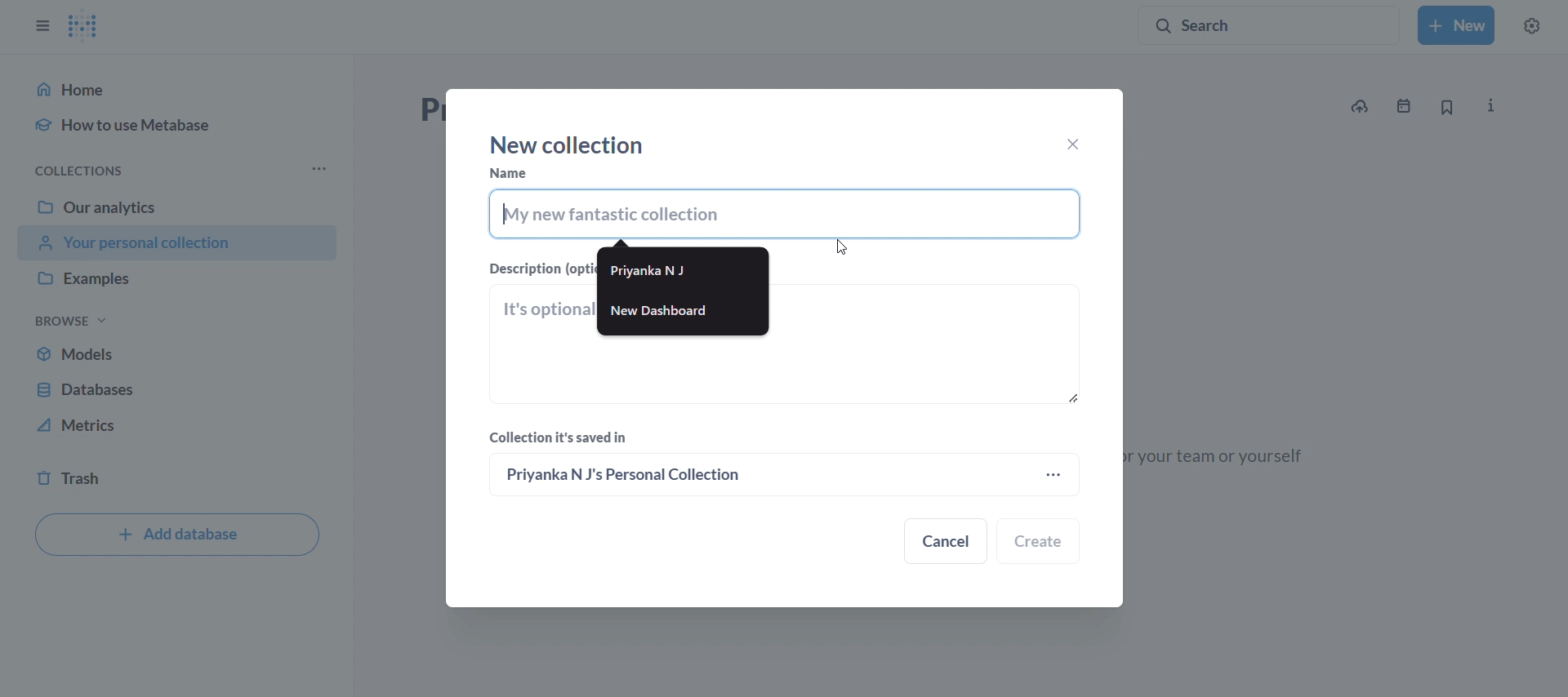 The width and height of the screenshot is (1568, 697). I want to click on new collection, so click(1458, 25).